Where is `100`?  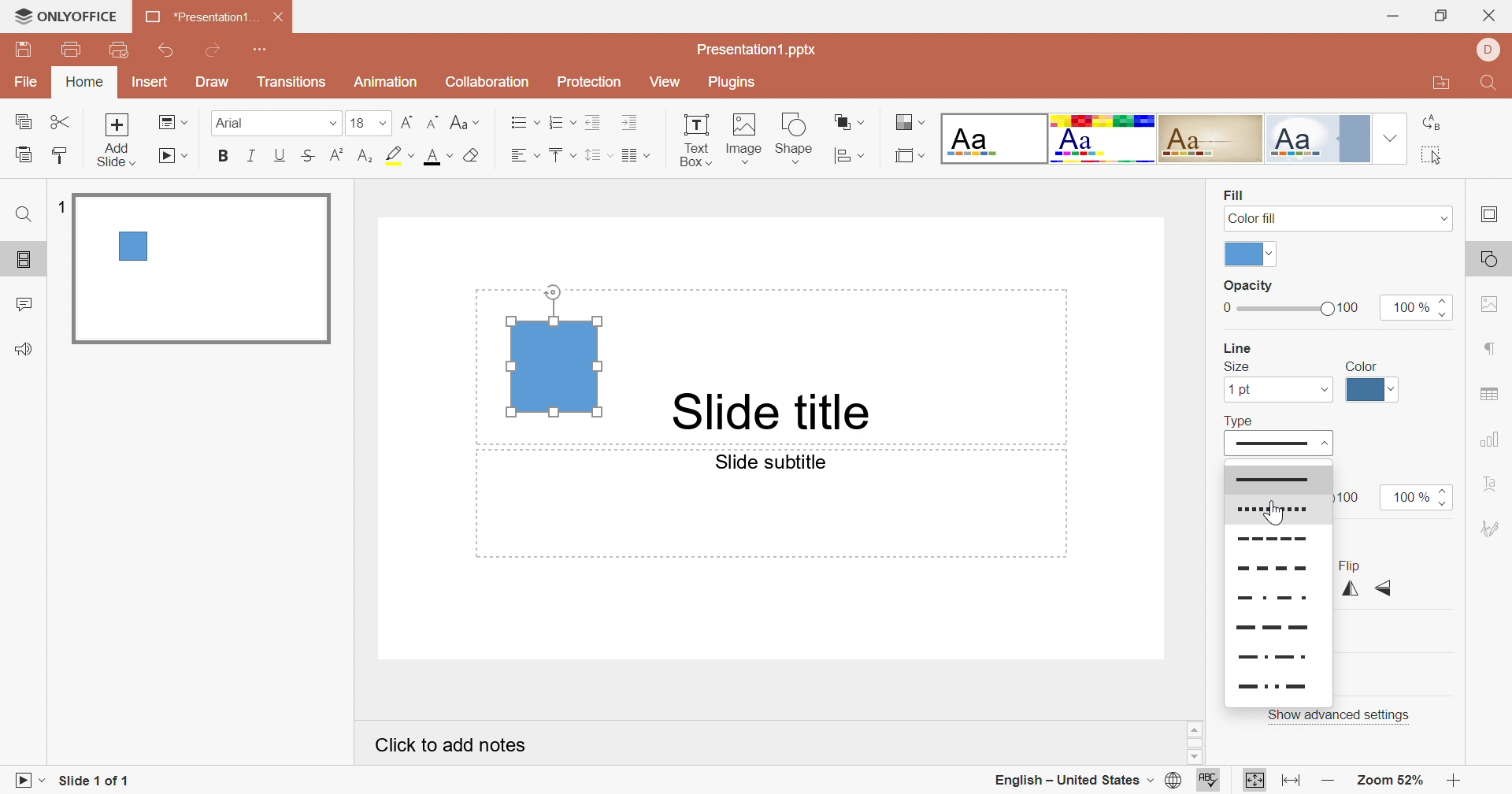
100 is located at coordinates (1354, 495).